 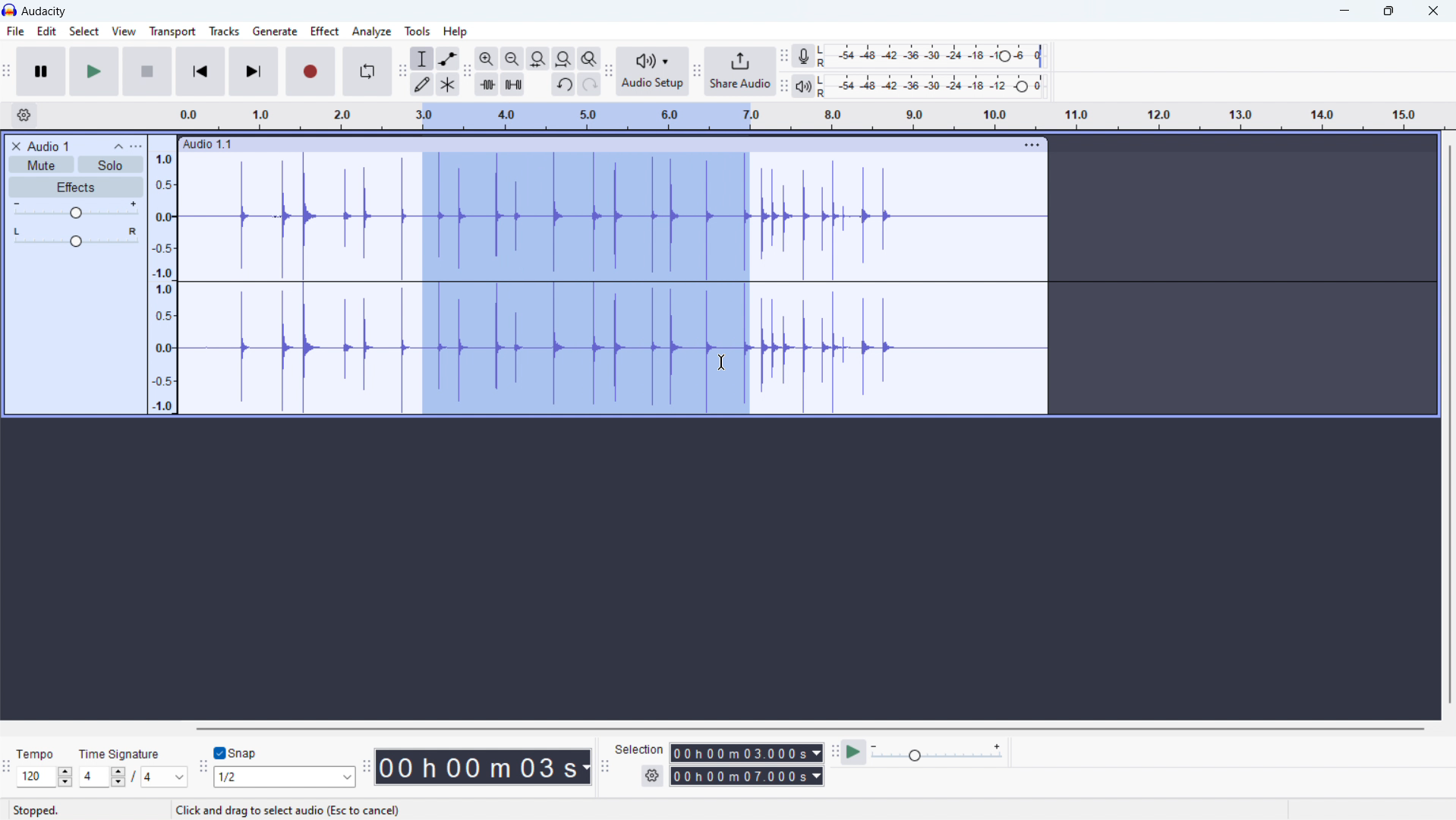 I want to click on amplitude, so click(x=162, y=274).